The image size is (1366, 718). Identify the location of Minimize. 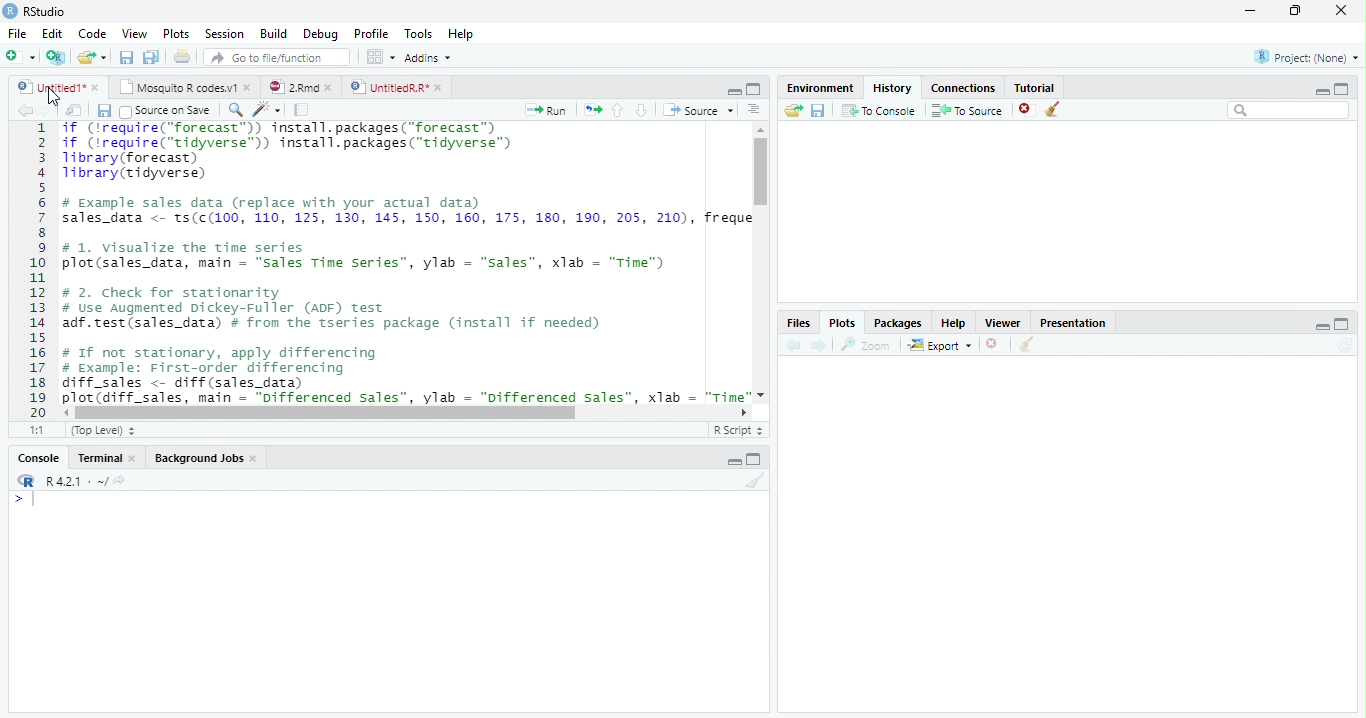
(734, 91).